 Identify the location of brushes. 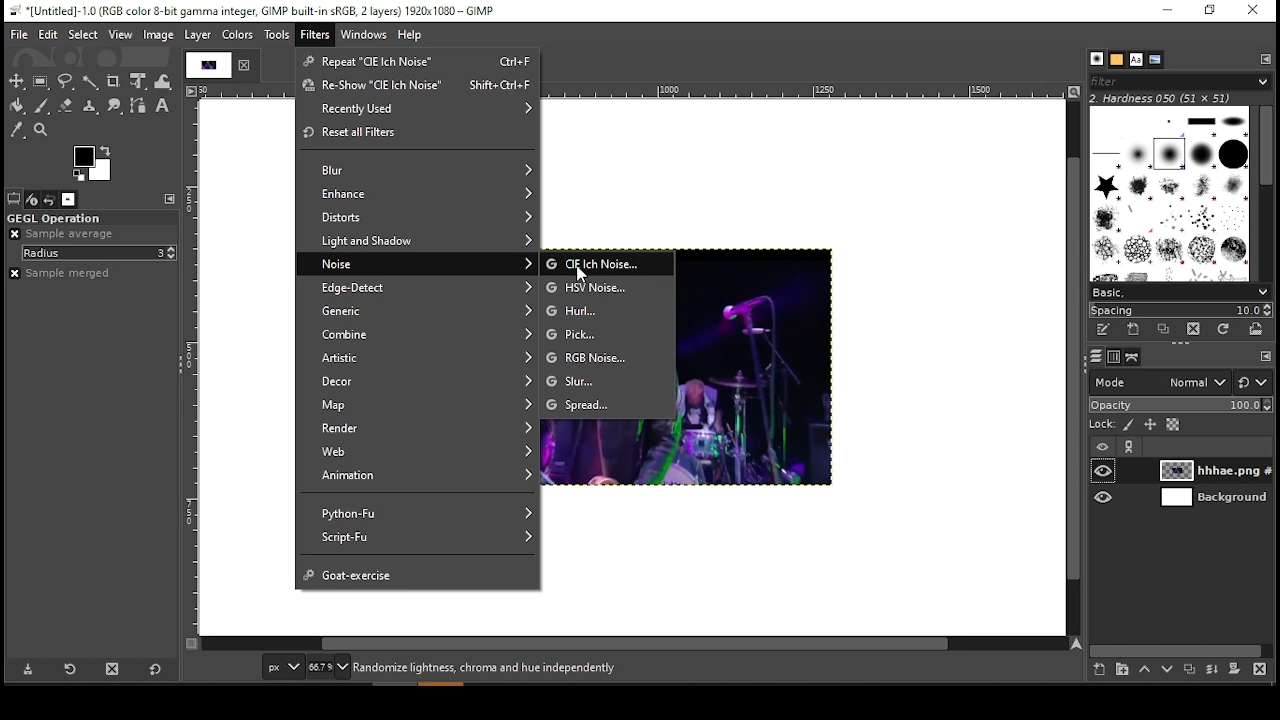
(1171, 194).